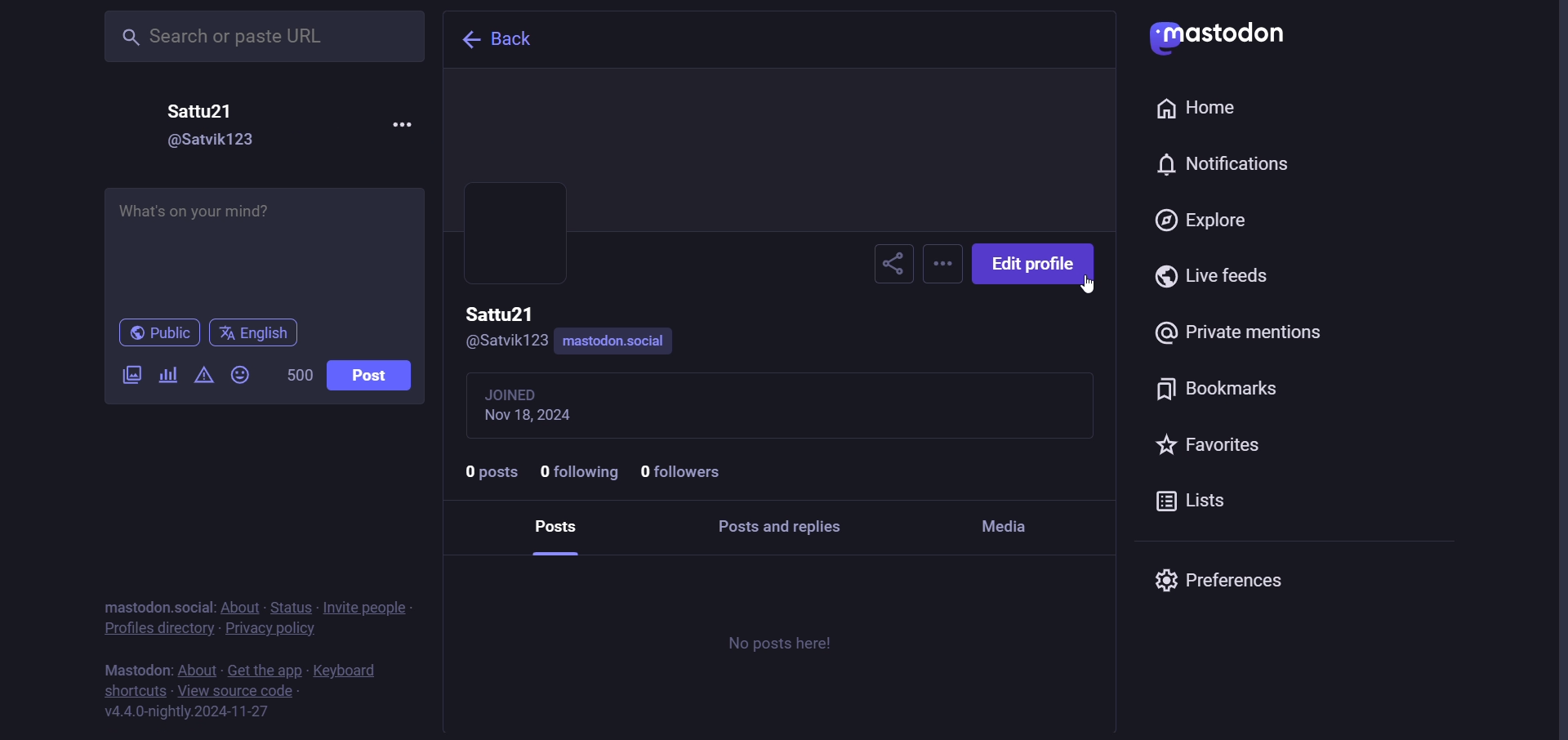  Describe the element at coordinates (240, 377) in the screenshot. I see `emoji` at that location.